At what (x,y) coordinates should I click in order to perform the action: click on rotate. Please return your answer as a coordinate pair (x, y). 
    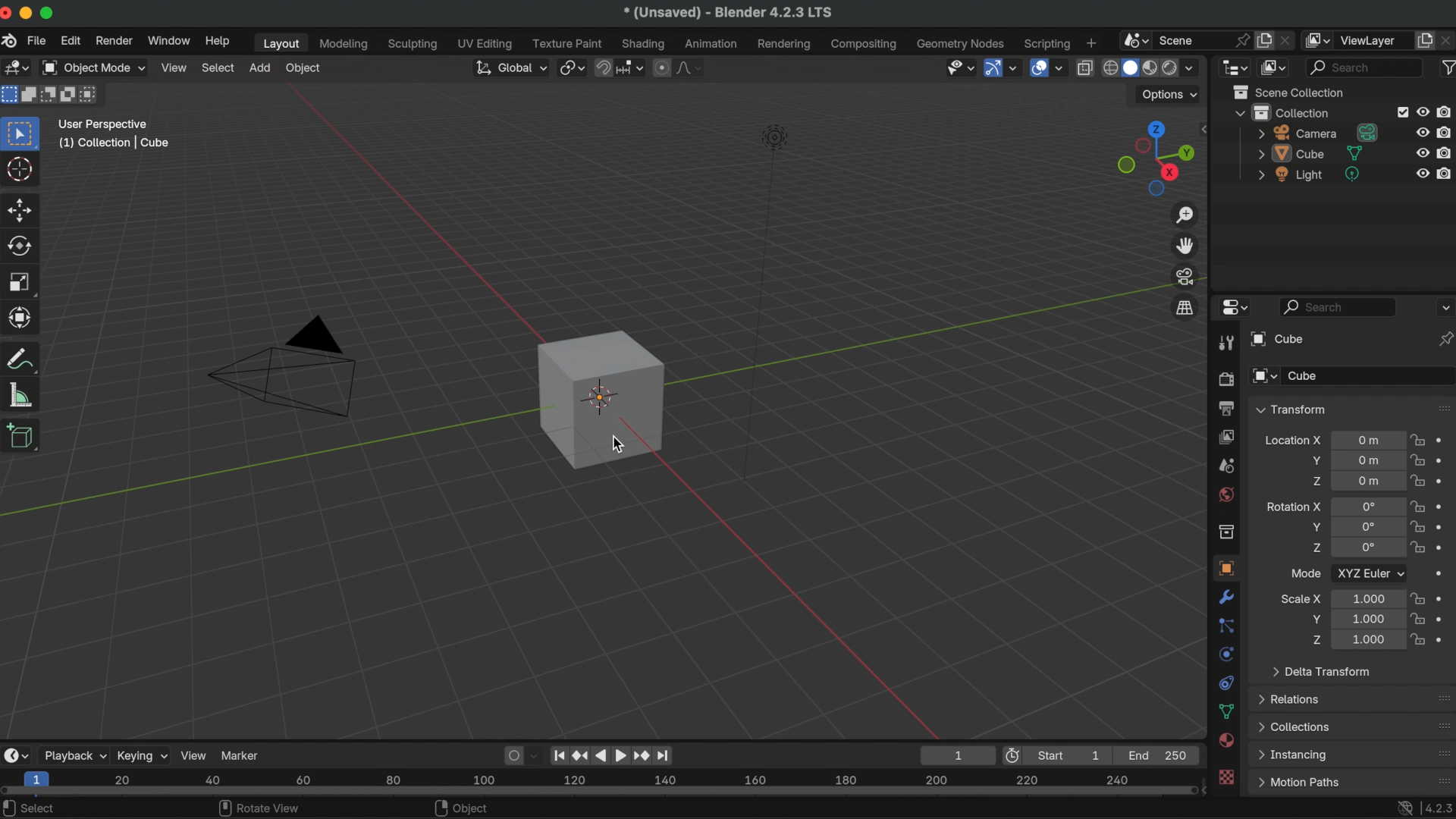
    Looking at the image, I should click on (23, 246).